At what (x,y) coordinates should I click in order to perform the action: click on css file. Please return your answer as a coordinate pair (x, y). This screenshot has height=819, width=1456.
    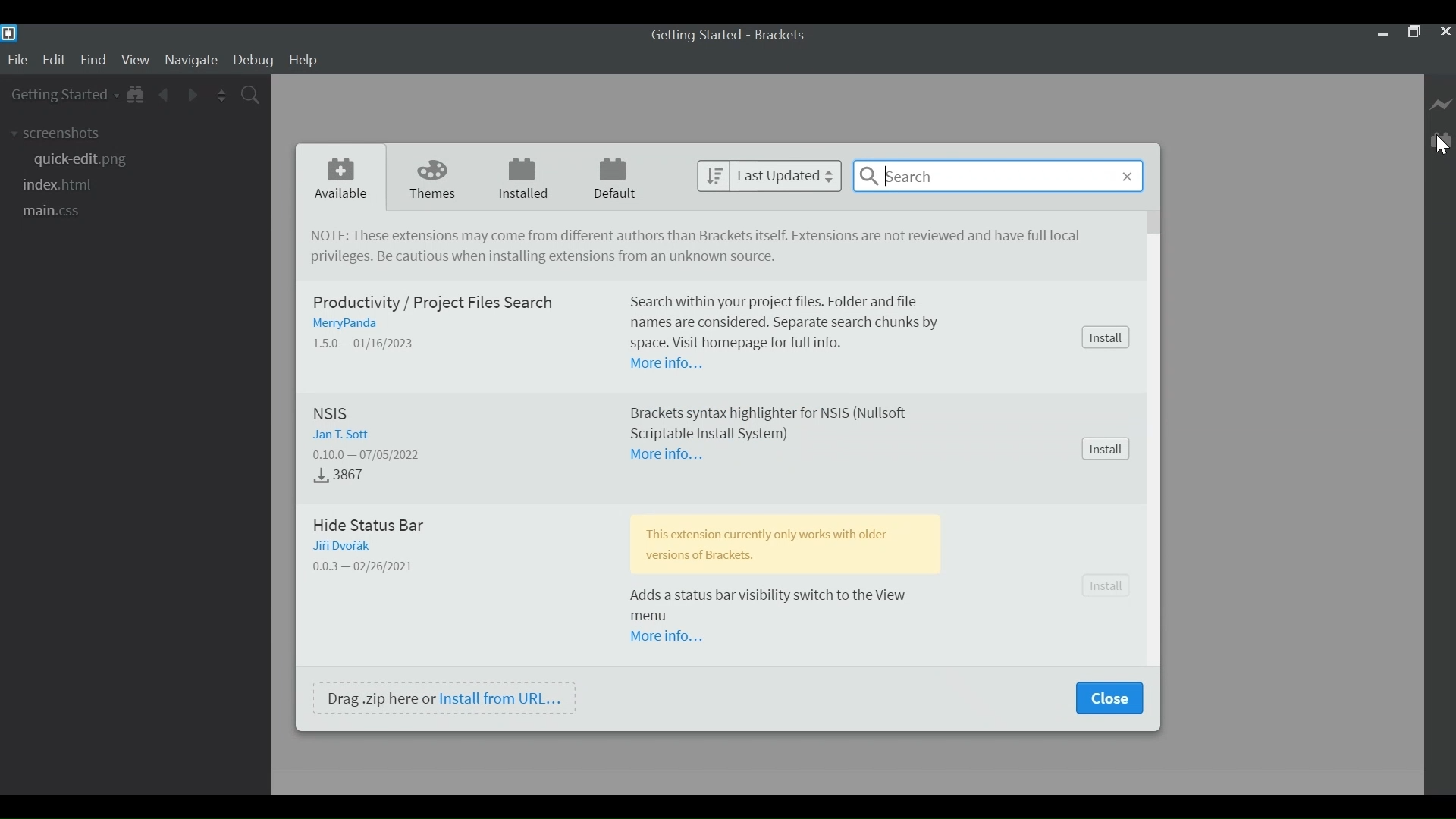
    Looking at the image, I should click on (52, 211).